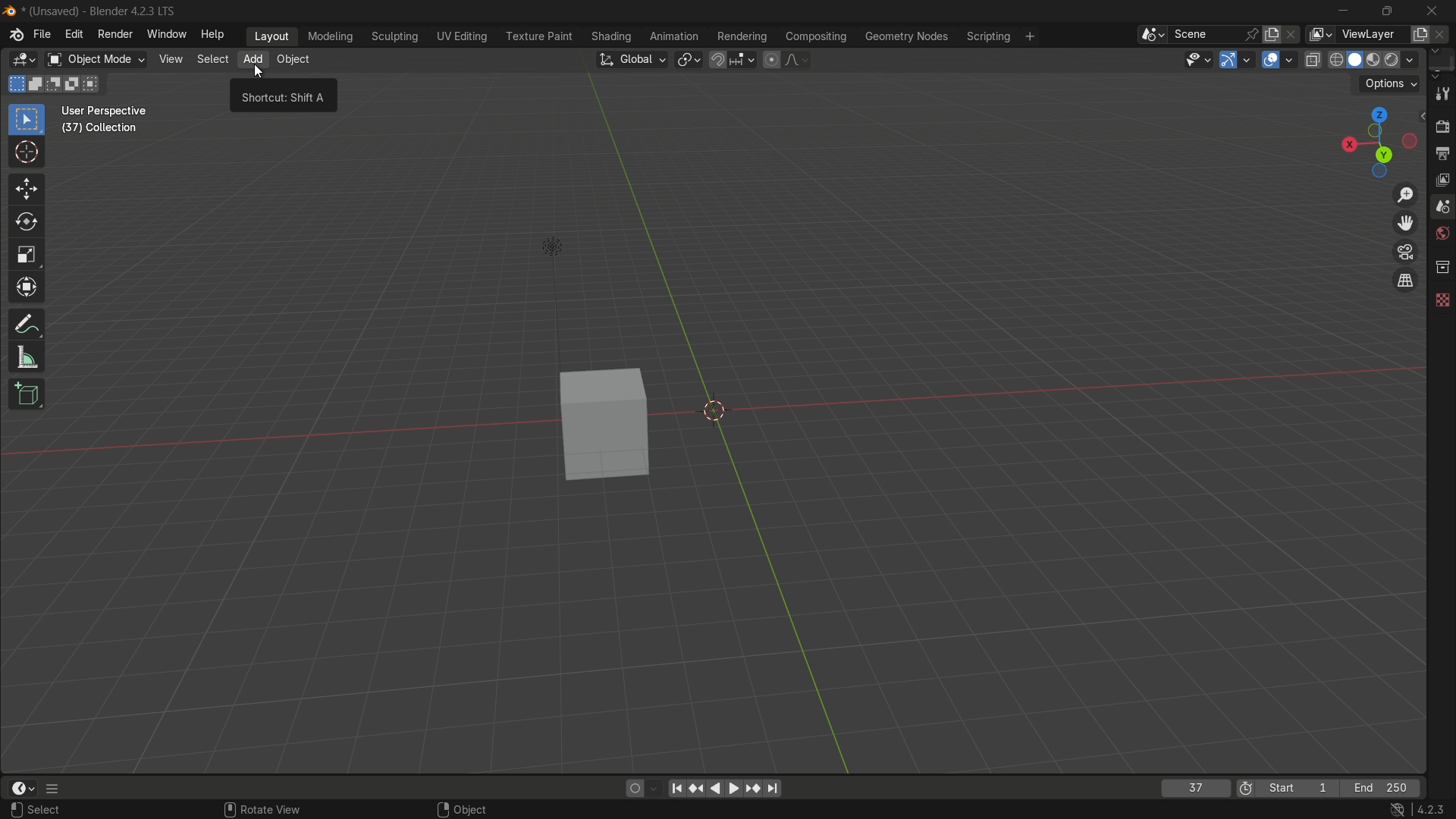 Image resolution: width=1456 pixels, height=819 pixels. Describe the element at coordinates (1034, 38) in the screenshot. I see `add workplace` at that location.